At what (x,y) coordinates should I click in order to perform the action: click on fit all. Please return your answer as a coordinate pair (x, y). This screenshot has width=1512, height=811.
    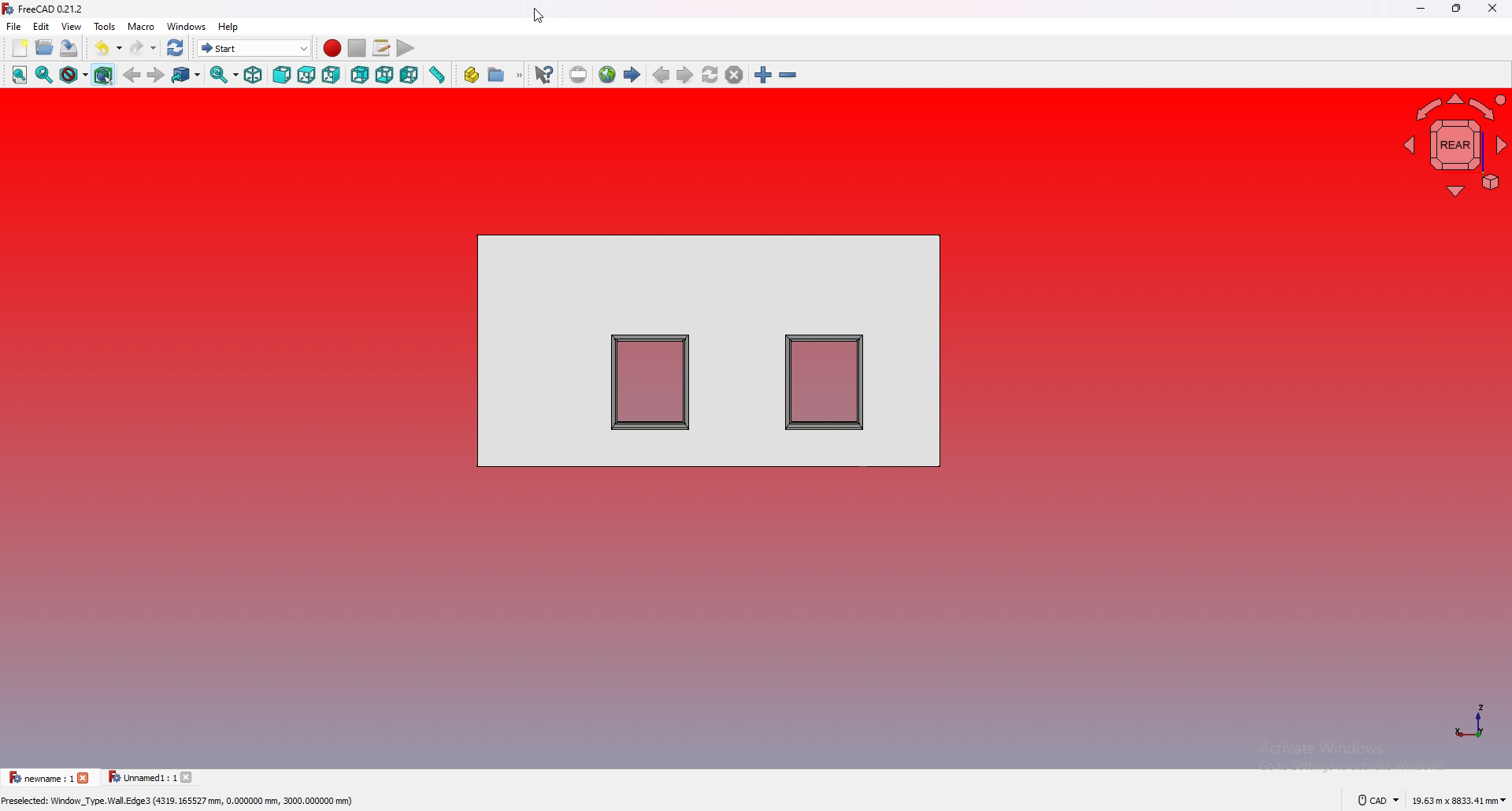
    Looking at the image, I should click on (20, 75).